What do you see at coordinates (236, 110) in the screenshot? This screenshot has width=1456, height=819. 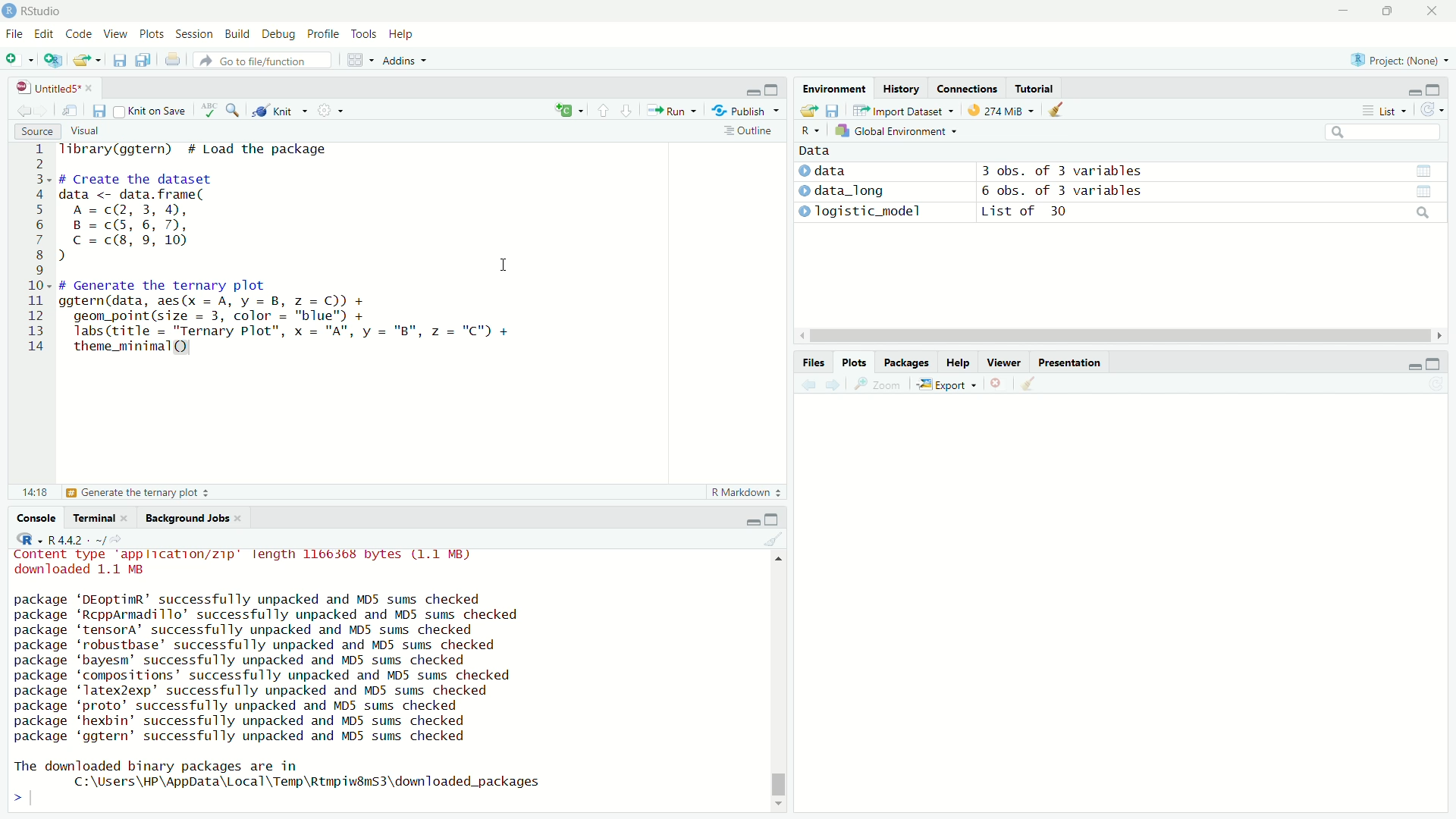 I see `search` at bounding box center [236, 110].